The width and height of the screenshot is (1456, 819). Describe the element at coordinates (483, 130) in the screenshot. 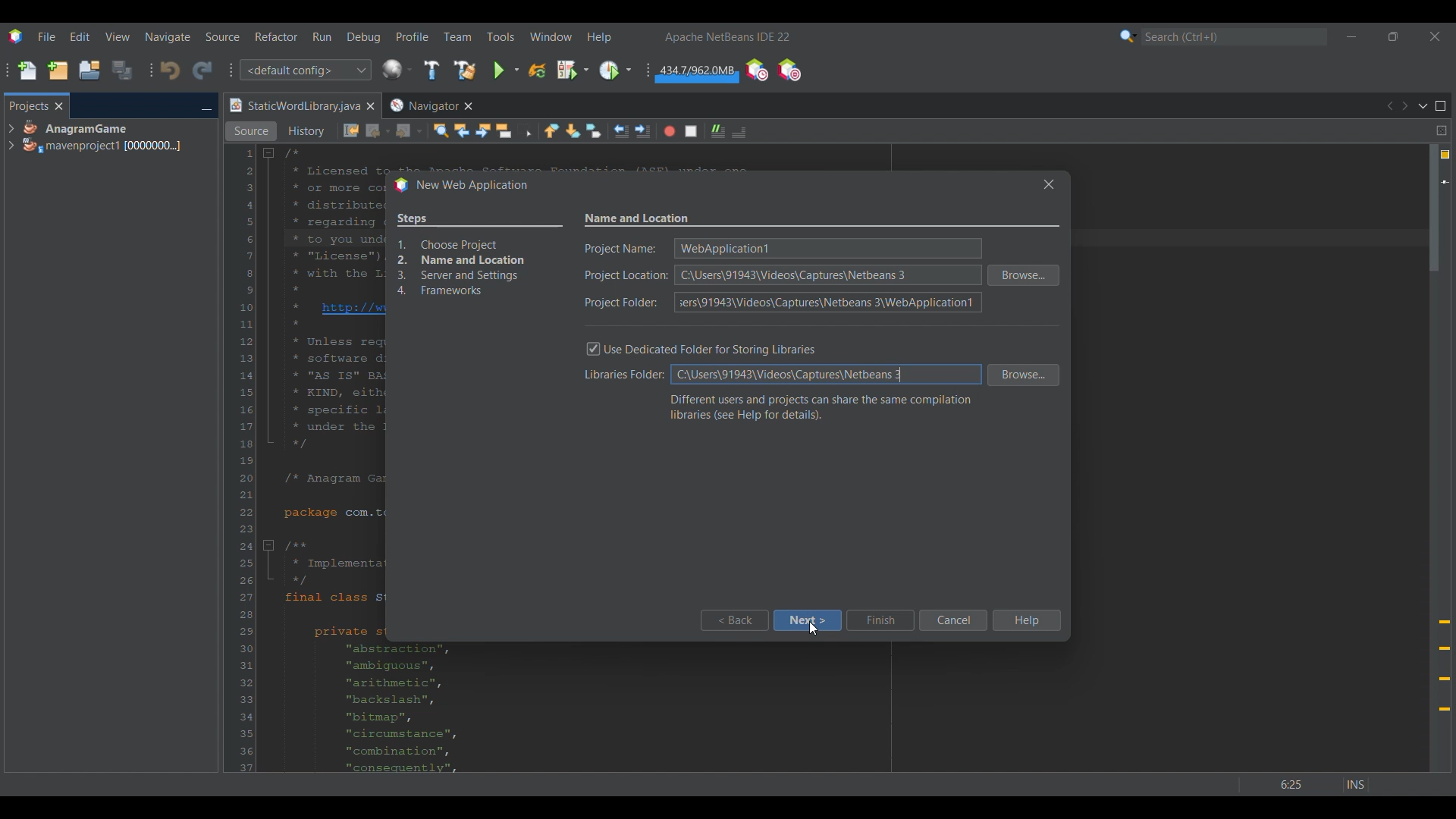

I see `Find next occurrence` at that location.